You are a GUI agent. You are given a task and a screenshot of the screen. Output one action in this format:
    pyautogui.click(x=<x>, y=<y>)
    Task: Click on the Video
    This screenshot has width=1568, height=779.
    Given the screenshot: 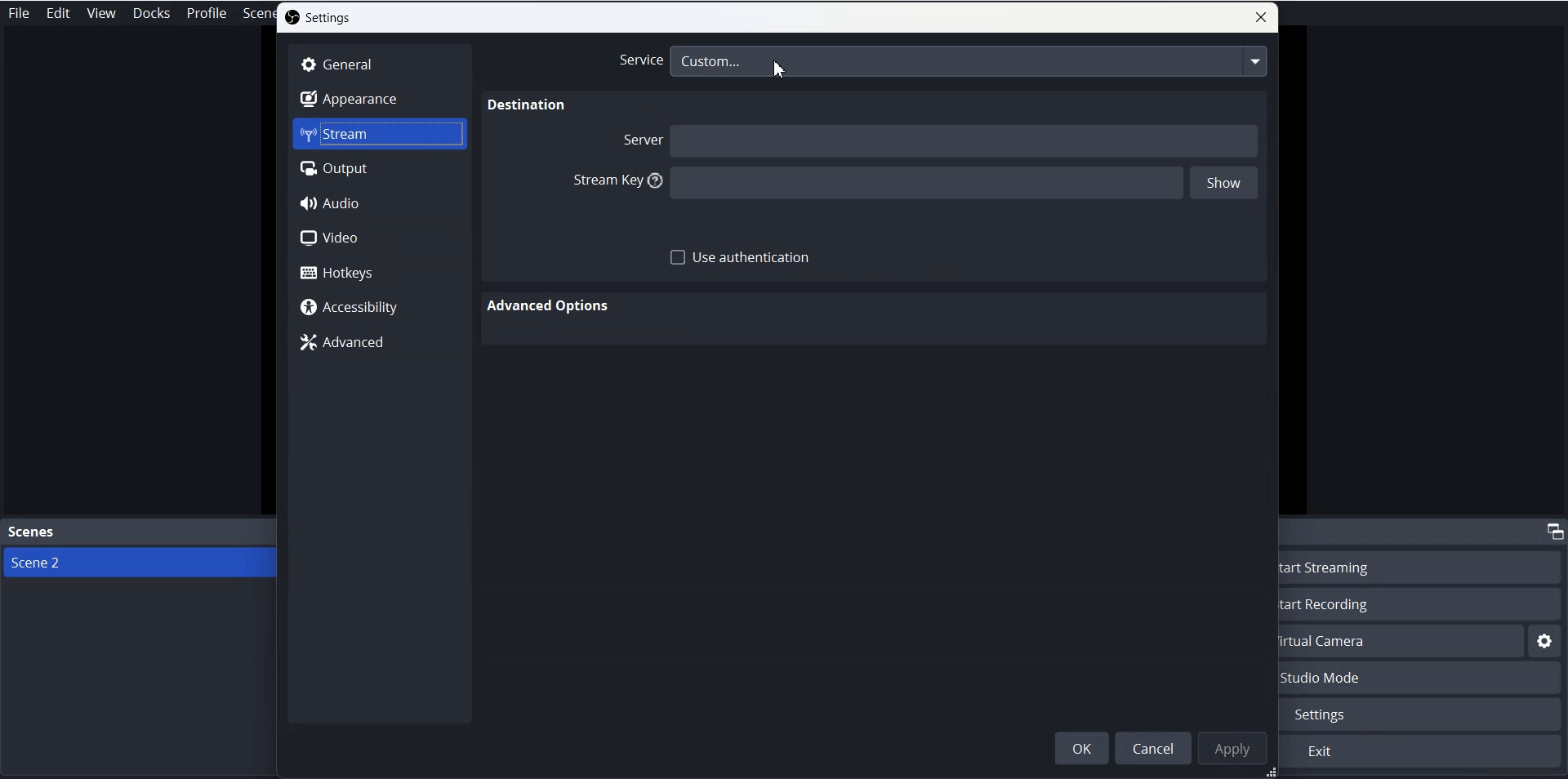 What is the action you would take?
    pyautogui.click(x=378, y=238)
    